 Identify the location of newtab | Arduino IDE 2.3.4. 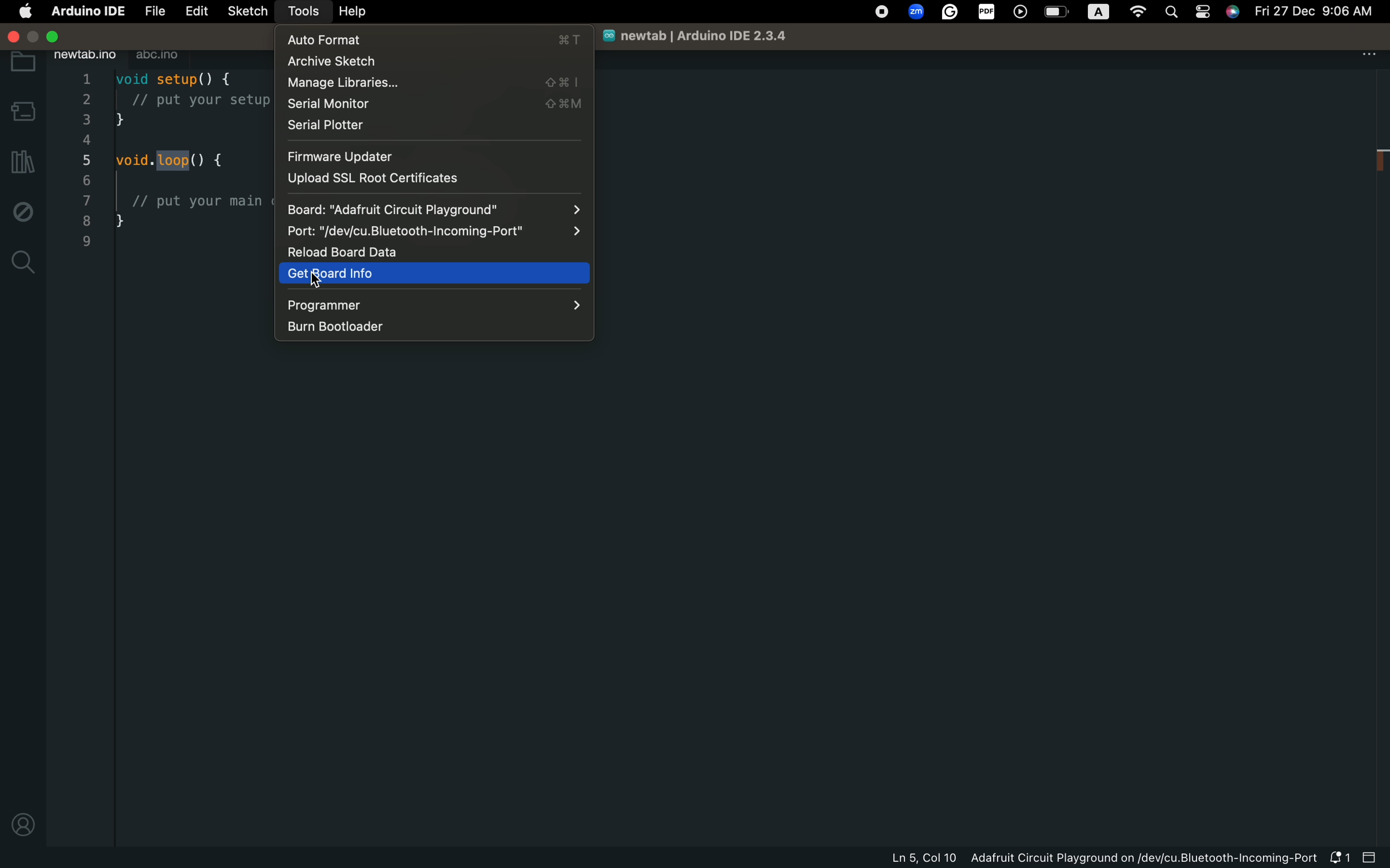
(698, 36).